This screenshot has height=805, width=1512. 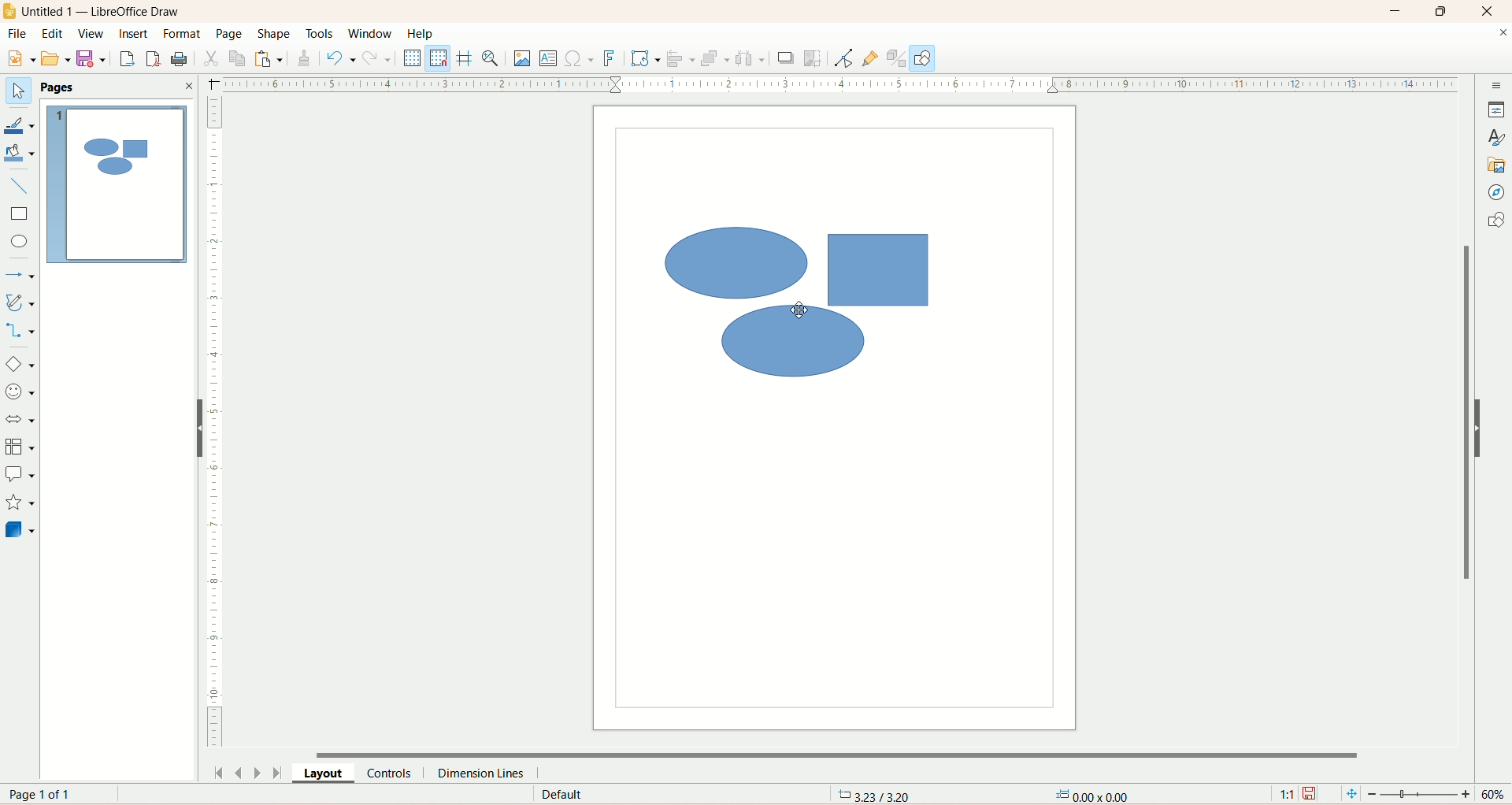 What do you see at coordinates (440, 59) in the screenshot?
I see `snap to grid` at bounding box center [440, 59].